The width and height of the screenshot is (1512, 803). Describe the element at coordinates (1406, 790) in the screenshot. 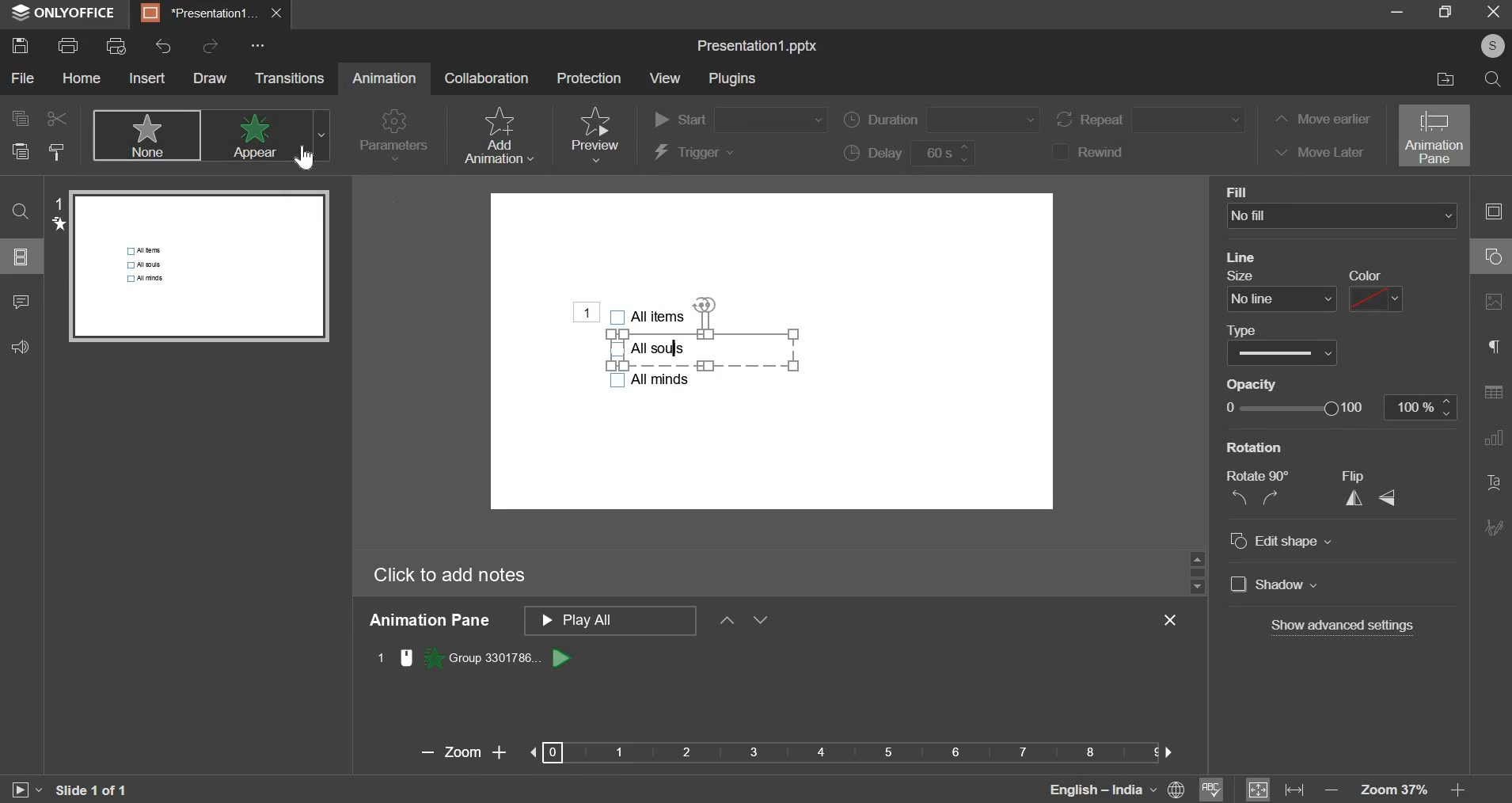

I see `zoom` at that location.